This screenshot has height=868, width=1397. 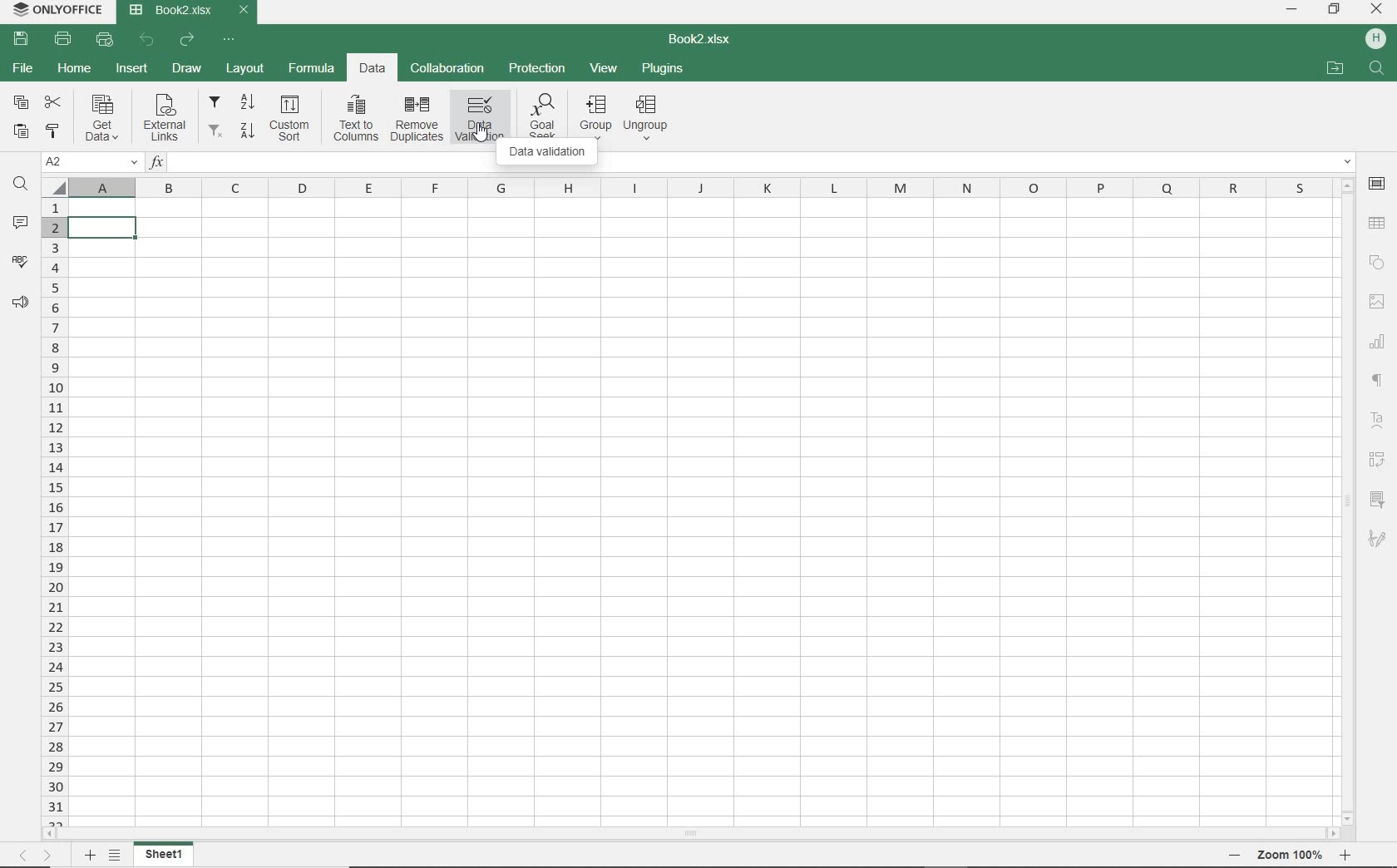 I want to click on SHAPE, so click(x=1377, y=264).